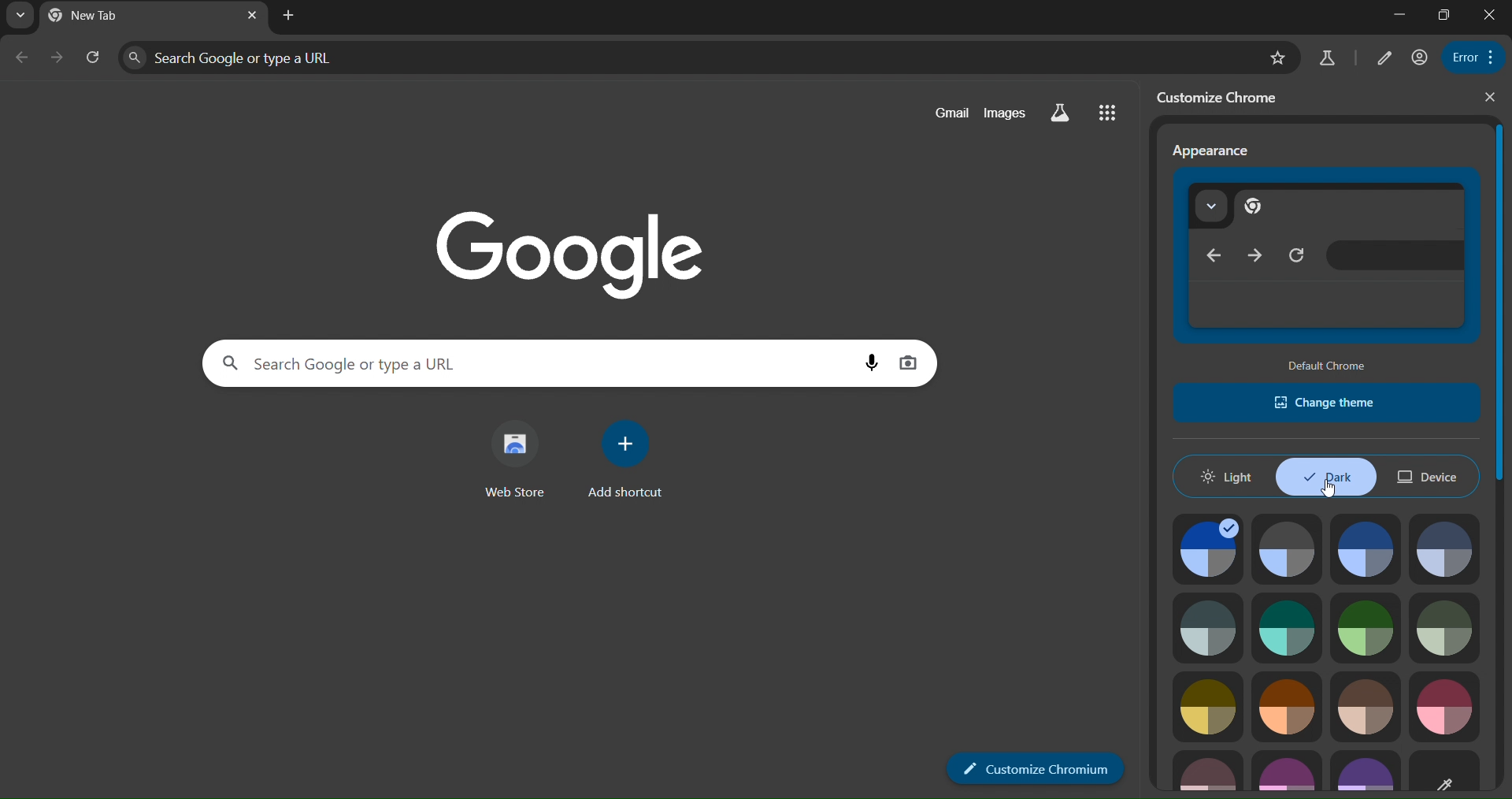  What do you see at coordinates (1327, 478) in the screenshot?
I see `dark` at bounding box center [1327, 478].